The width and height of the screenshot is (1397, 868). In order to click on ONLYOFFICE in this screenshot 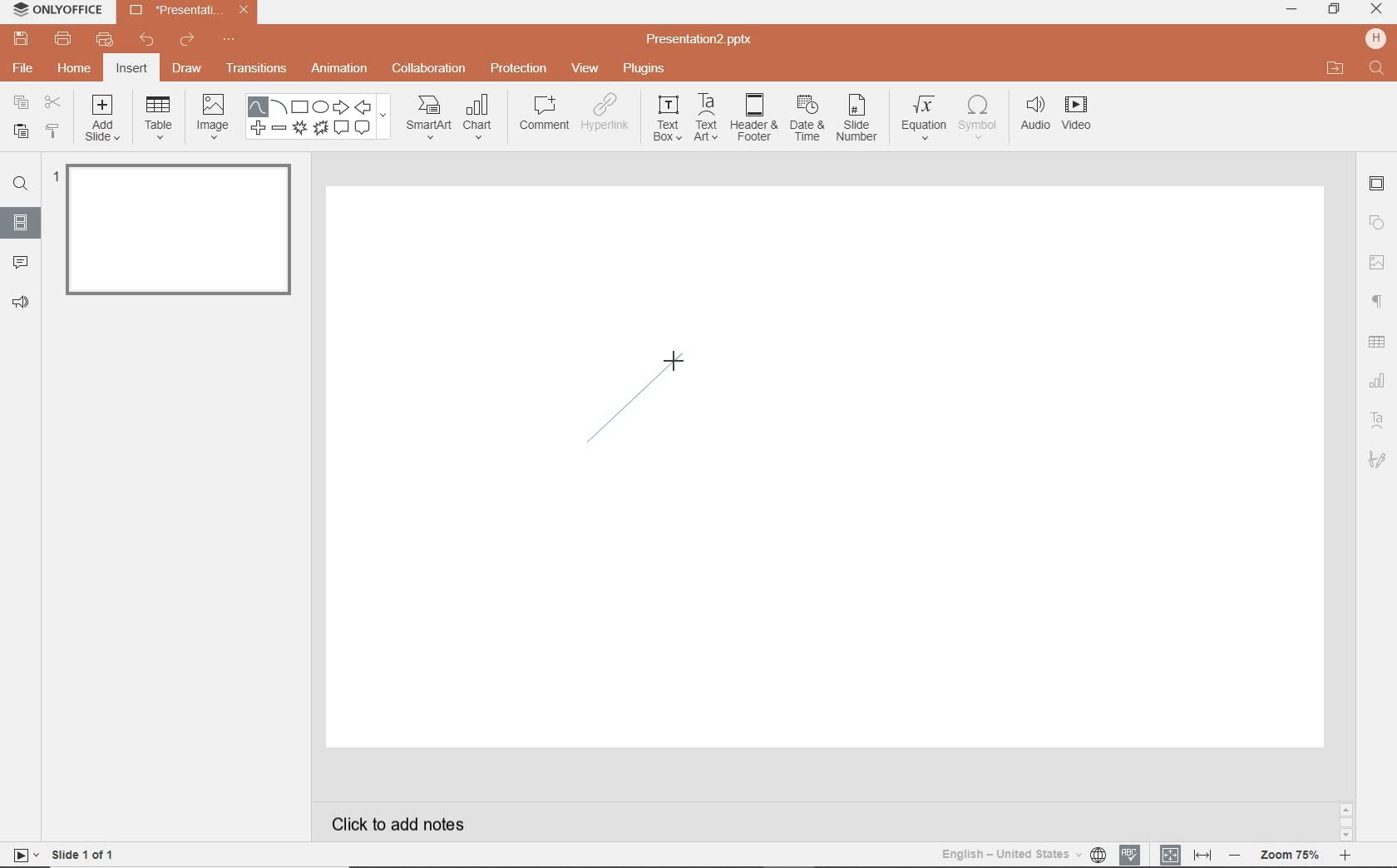, I will do `click(58, 11)`.